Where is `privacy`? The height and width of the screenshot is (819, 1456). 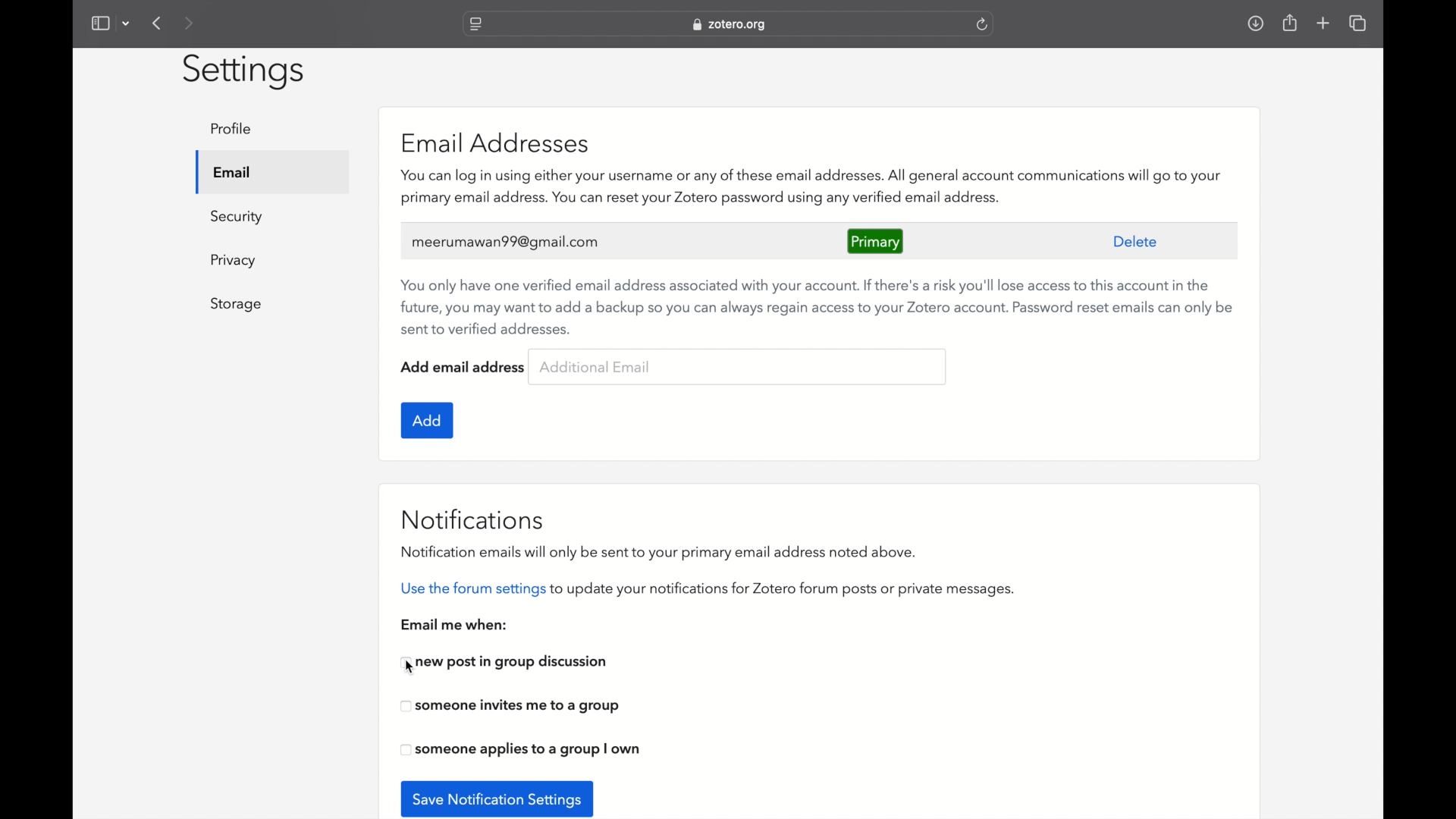 privacy is located at coordinates (235, 261).